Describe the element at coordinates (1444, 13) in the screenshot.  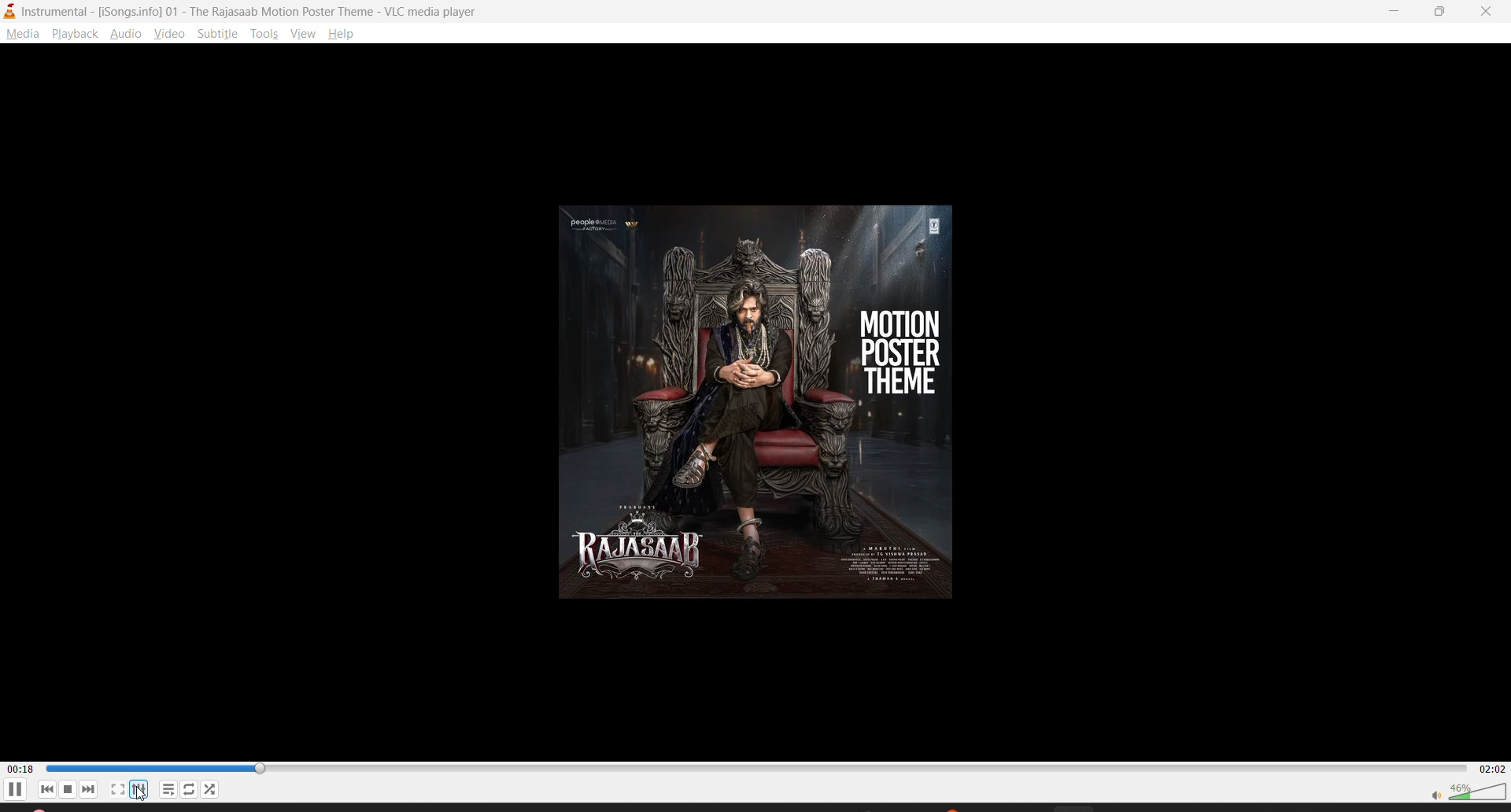
I see `maximize` at that location.